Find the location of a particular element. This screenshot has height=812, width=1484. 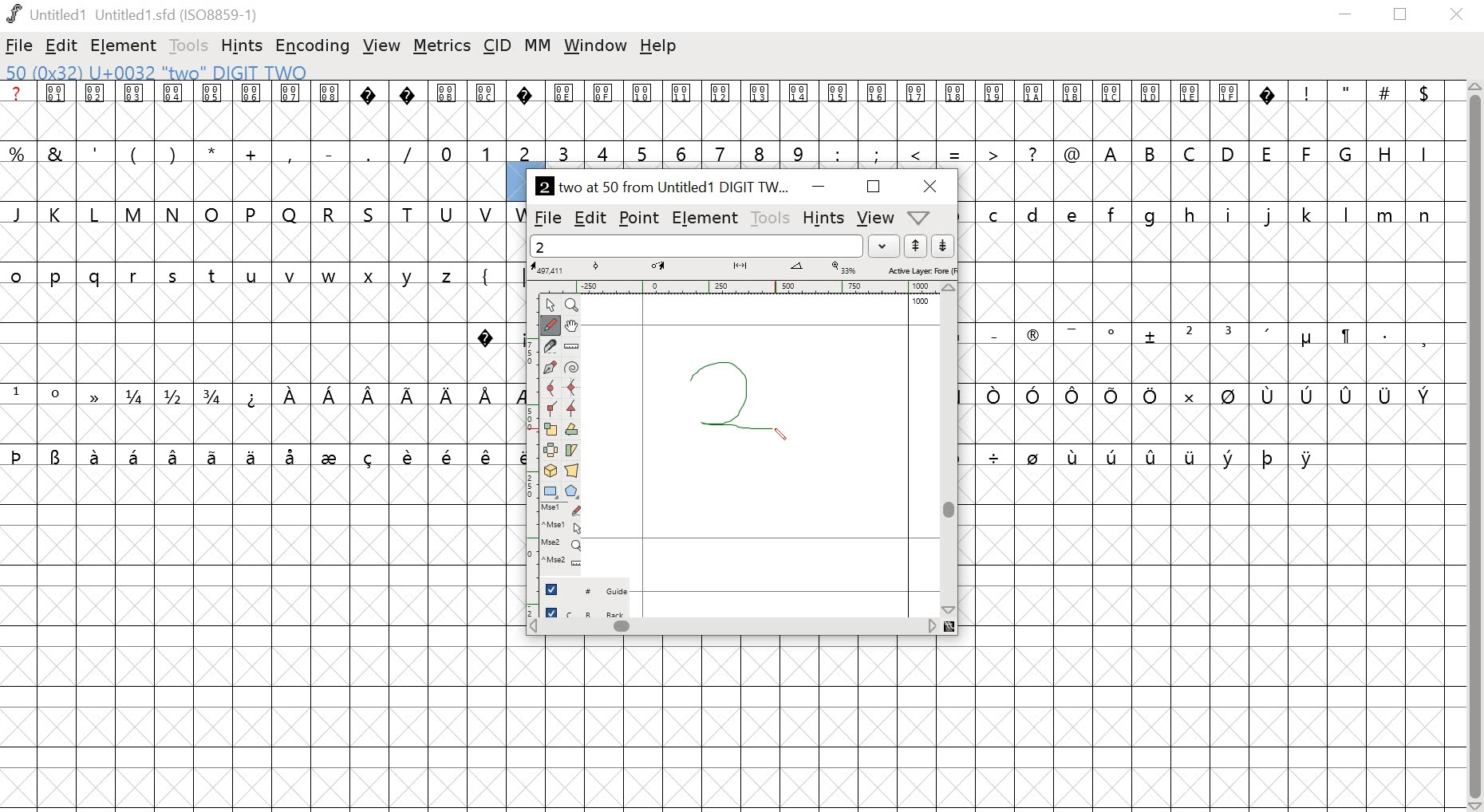

mouse left button + Ctrl is located at coordinates (565, 528).